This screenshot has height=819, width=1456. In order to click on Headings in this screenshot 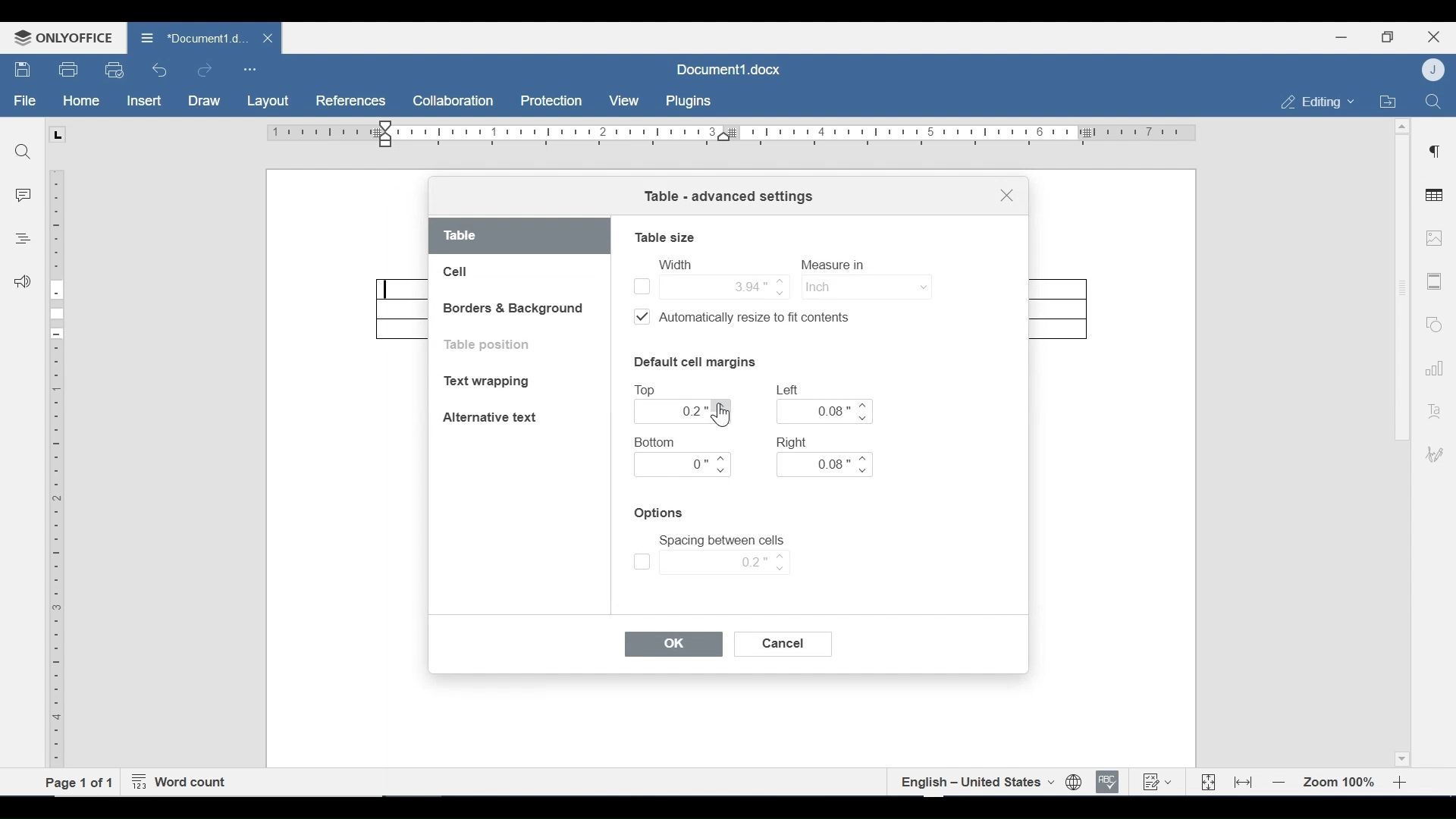, I will do `click(22, 237)`.